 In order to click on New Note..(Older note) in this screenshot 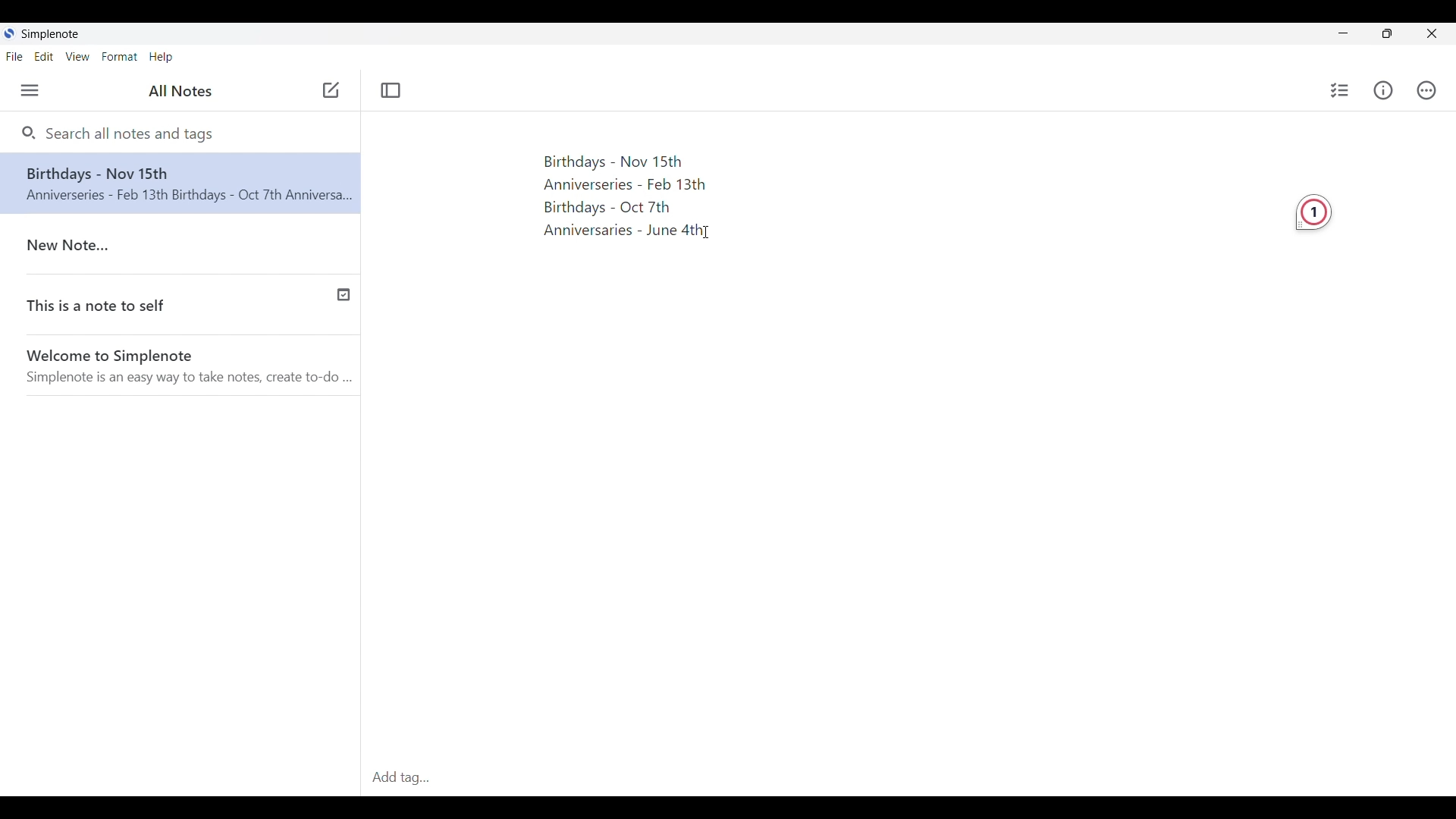, I will do `click(184, 246)`.